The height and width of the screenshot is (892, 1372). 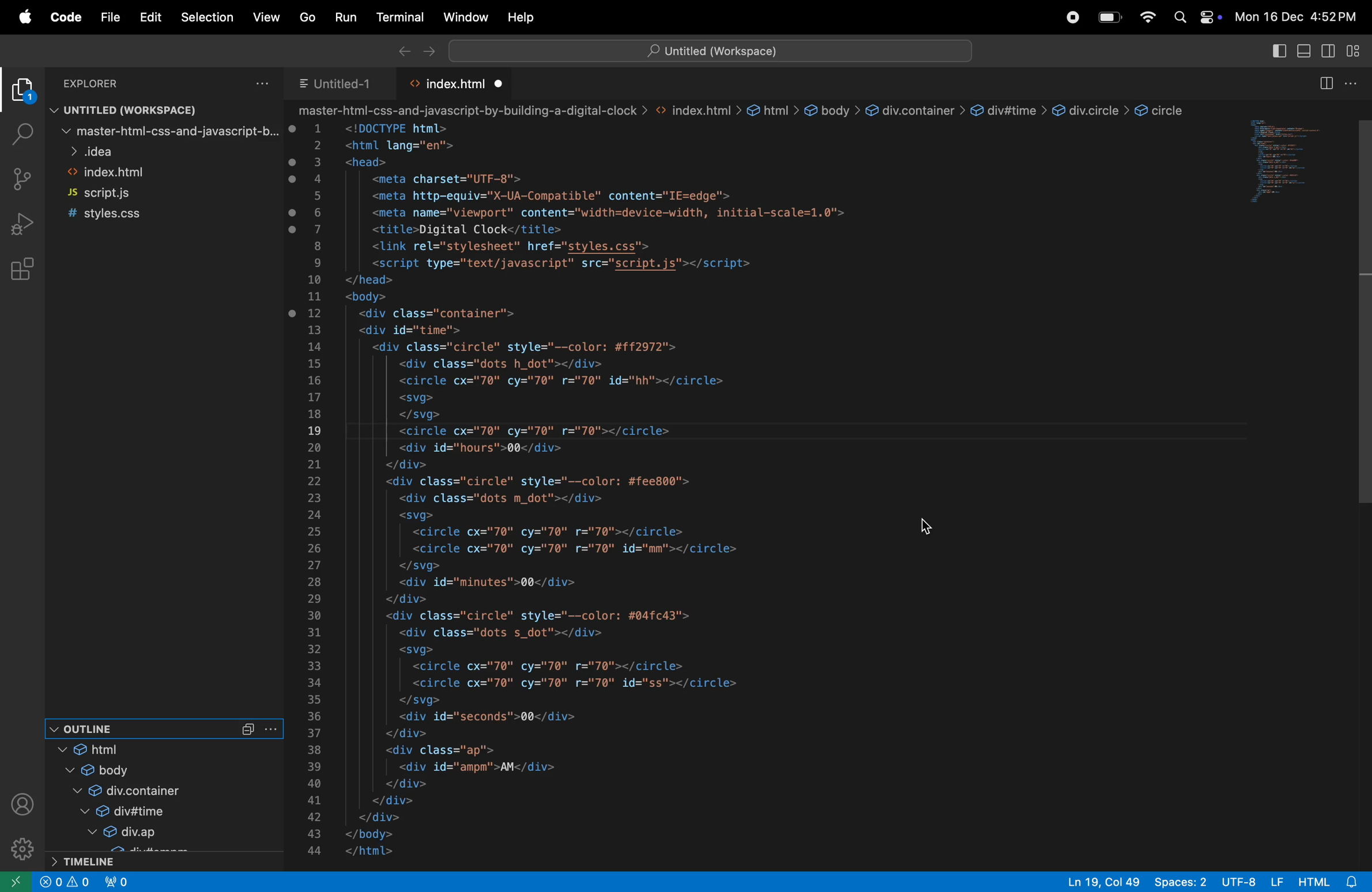 What do you see at coordinates (452, 84) in the screenshot?
I see `index.html tab` at bounding box center [452, 84].